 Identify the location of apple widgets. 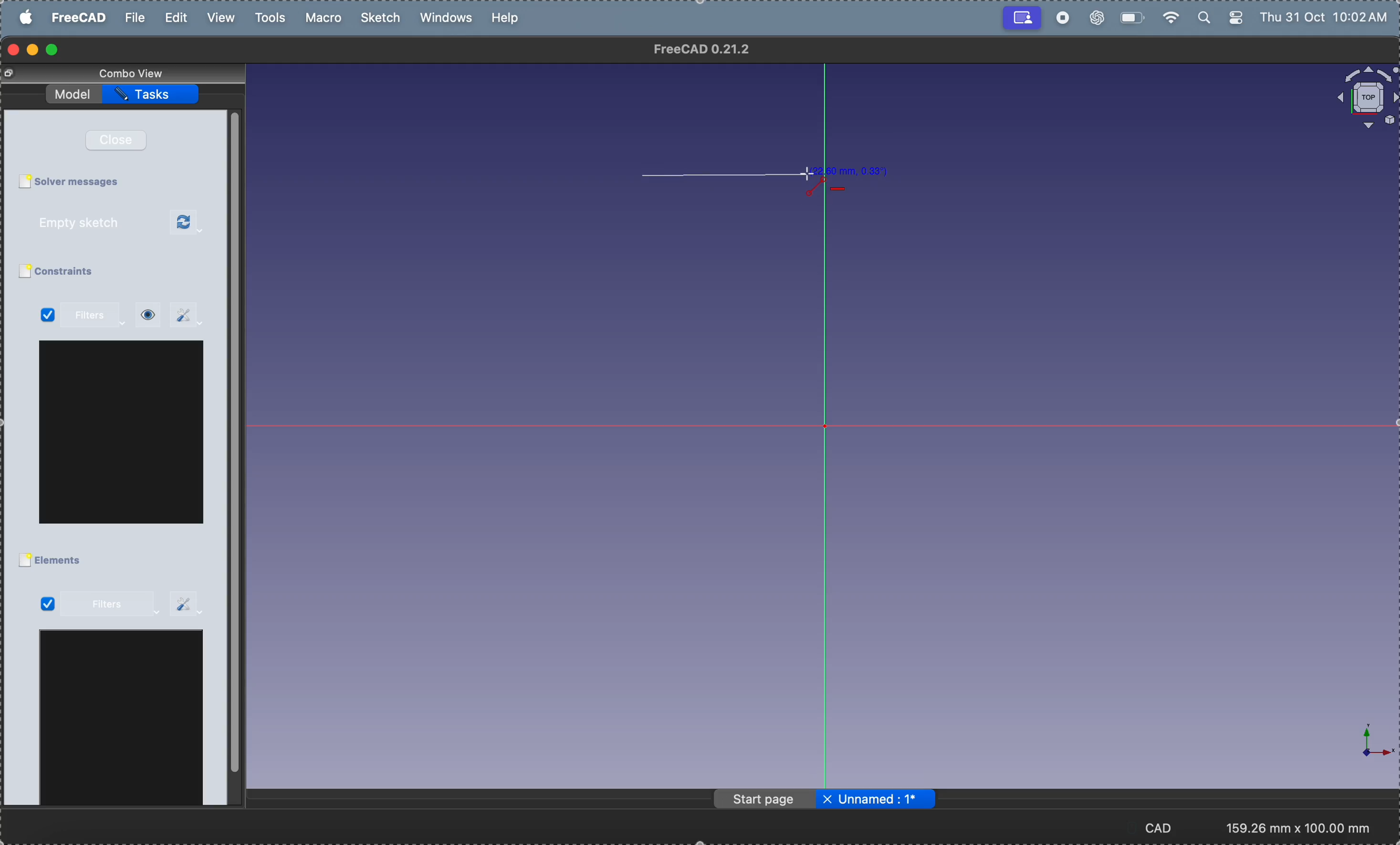
(1222, 18).